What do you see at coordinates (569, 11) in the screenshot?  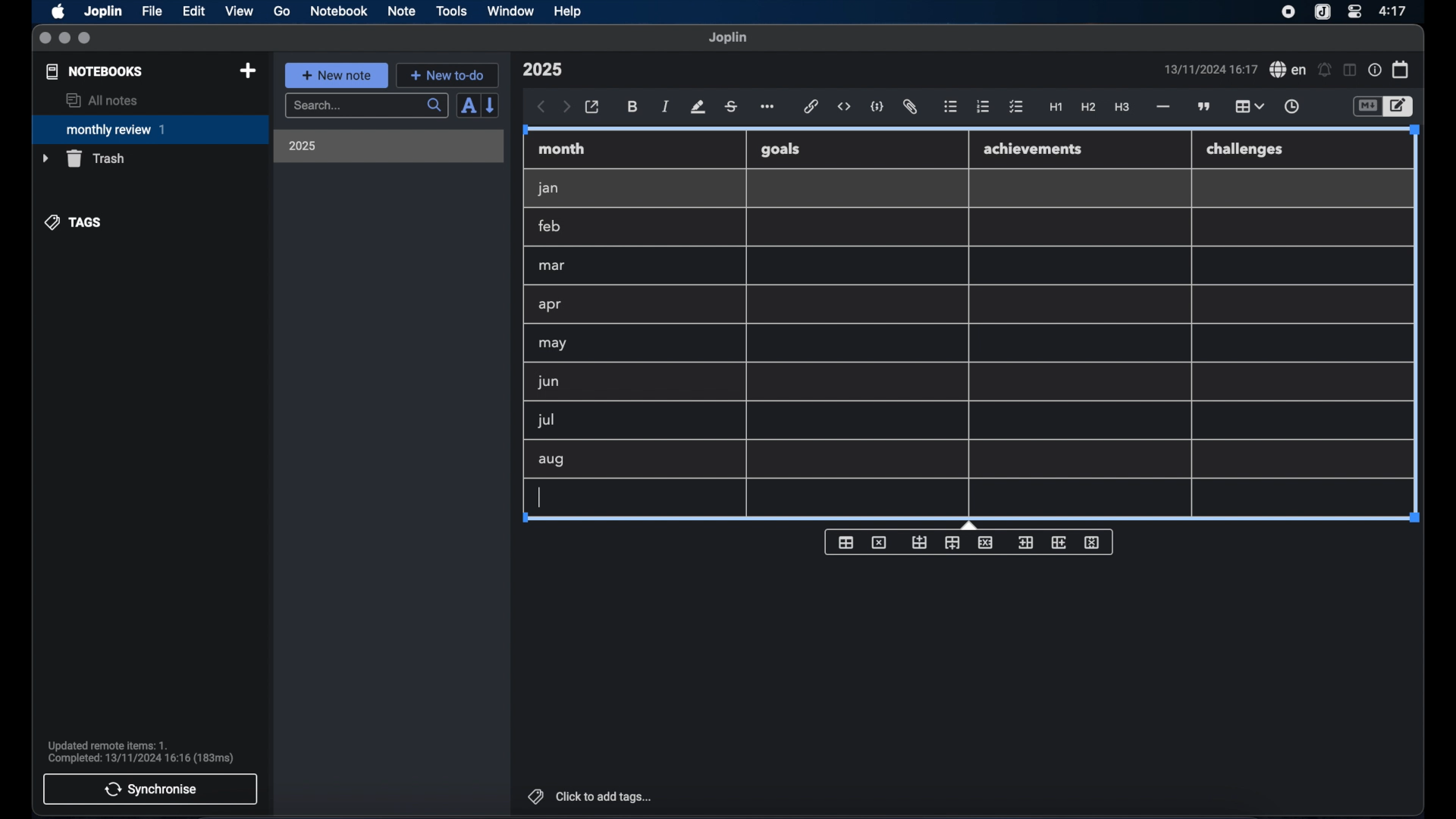 I see `help` at bounding box center [569, 11].